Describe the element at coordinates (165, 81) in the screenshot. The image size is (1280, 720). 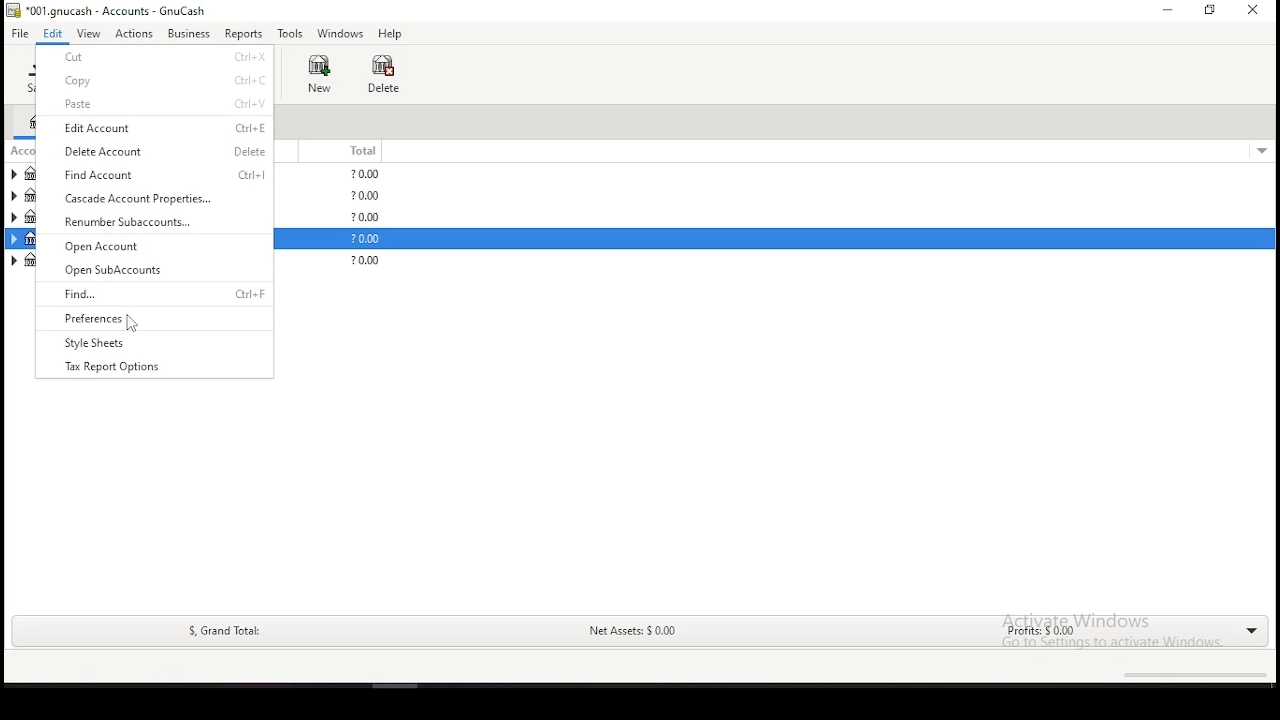
I see `copy` at that location.